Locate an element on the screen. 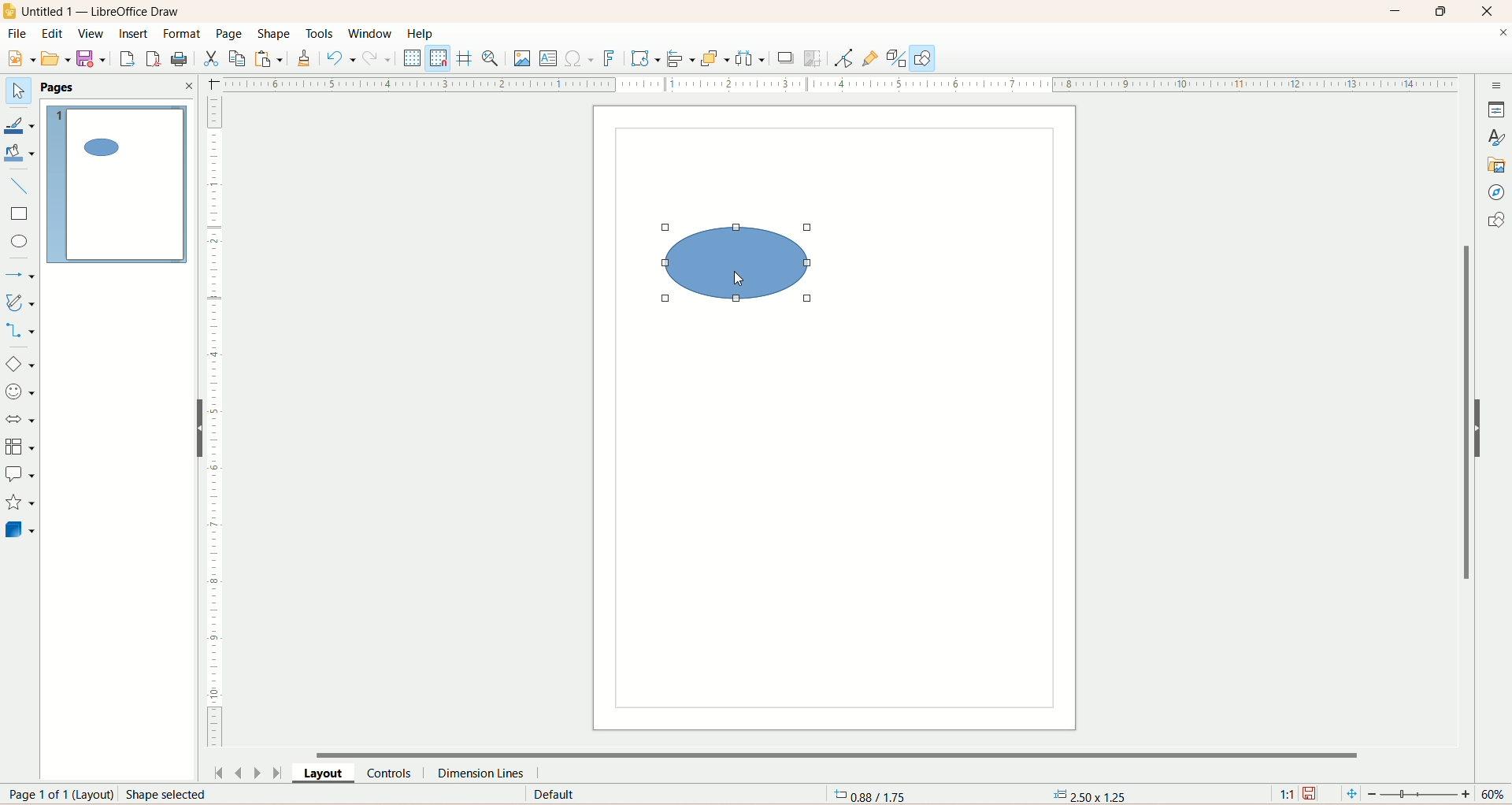 The width and height of the screenshot is (1512, 805). page number is located at coordinates (106, 792).